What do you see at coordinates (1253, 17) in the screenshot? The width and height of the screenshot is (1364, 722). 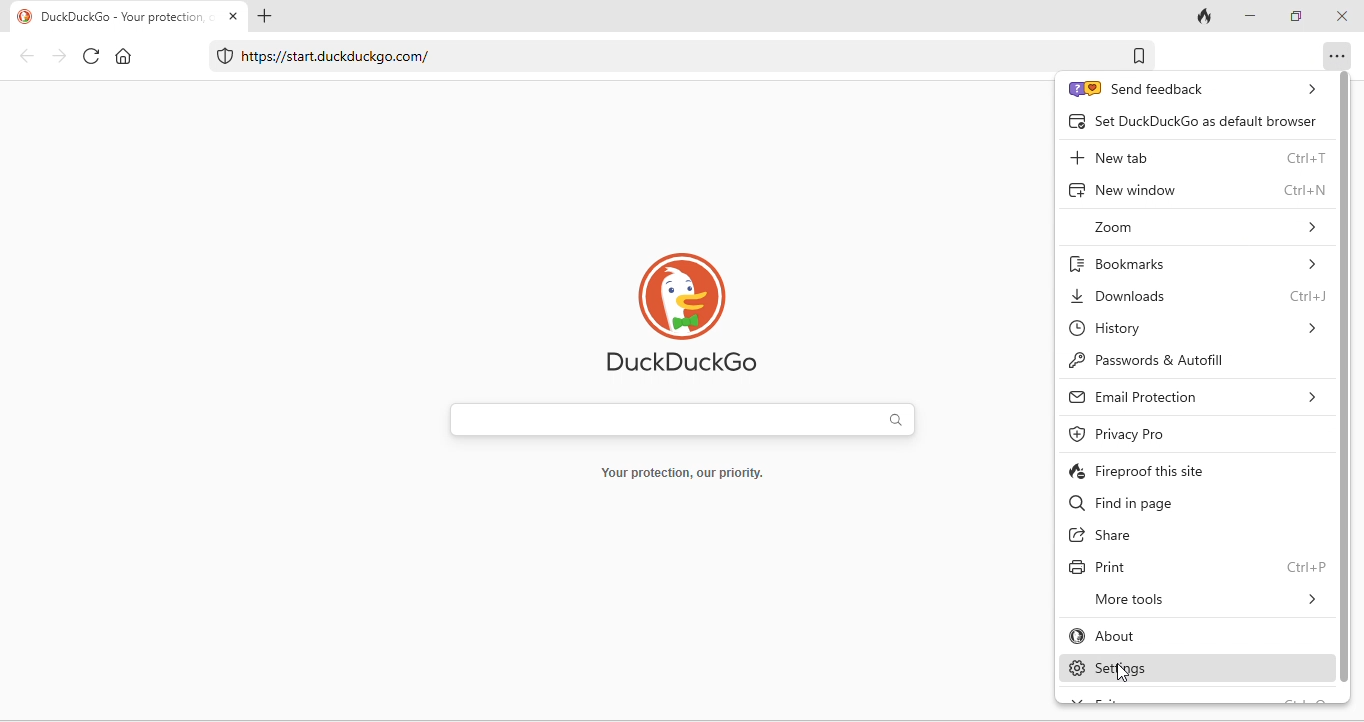 I see `minimize` at bounding box center [1253, 17].